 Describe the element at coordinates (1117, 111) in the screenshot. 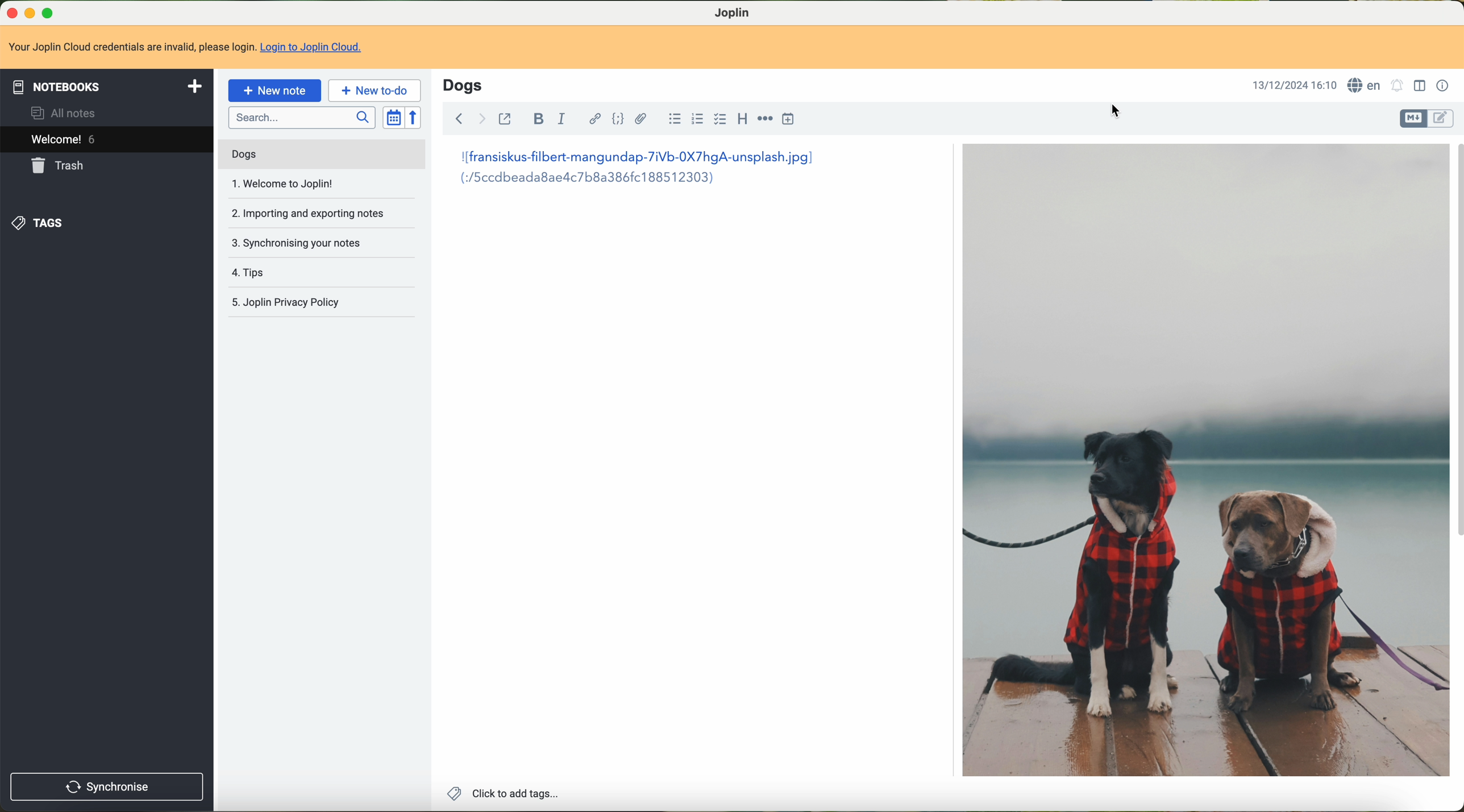

I see `cursor` at that location.